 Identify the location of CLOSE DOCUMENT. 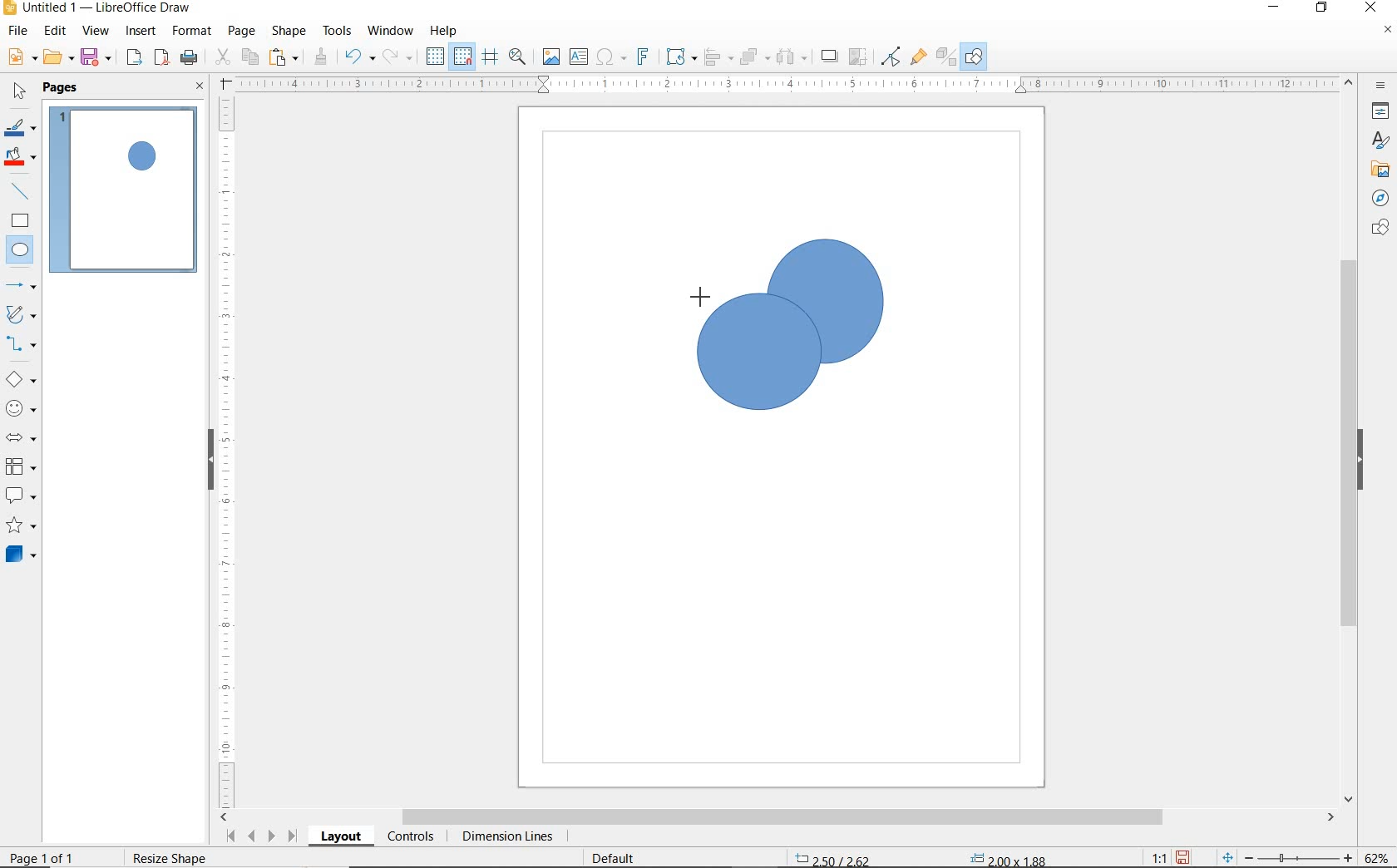
(1387, 32).